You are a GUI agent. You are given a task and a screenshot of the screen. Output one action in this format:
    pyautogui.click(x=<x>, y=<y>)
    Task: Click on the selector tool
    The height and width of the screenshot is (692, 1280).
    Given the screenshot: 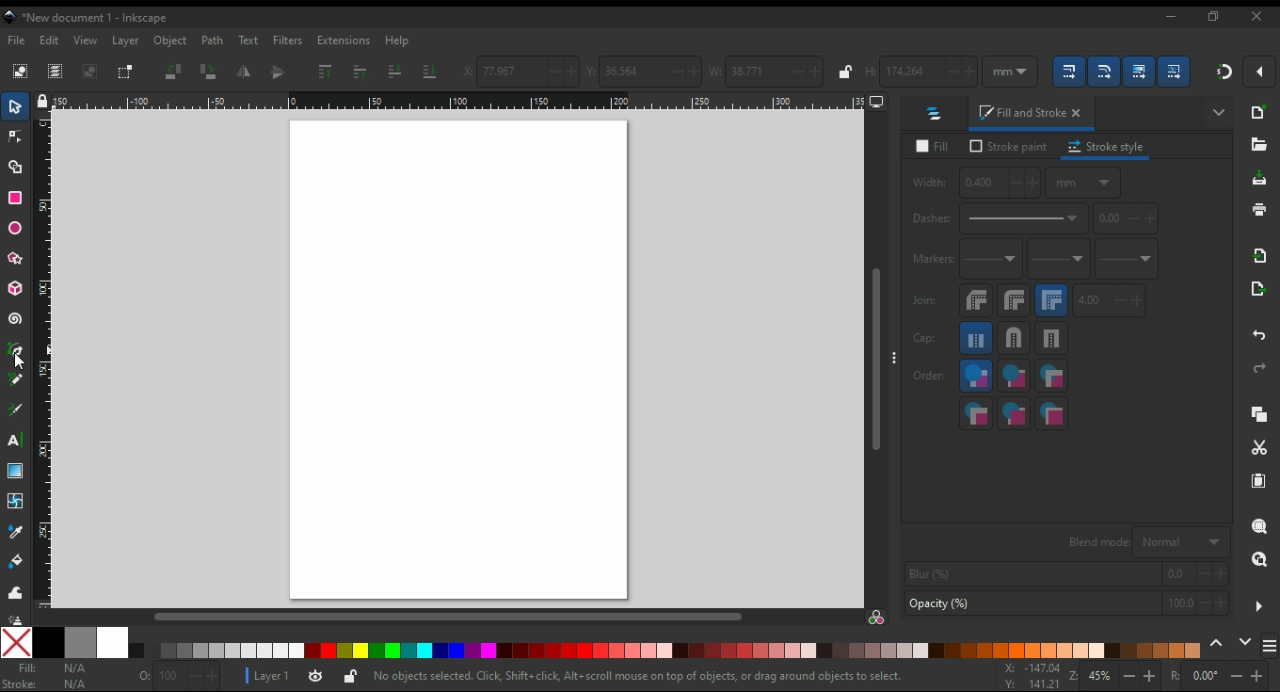 What is the action you would take?
    pyautogui.click(x=17, y=105)
    